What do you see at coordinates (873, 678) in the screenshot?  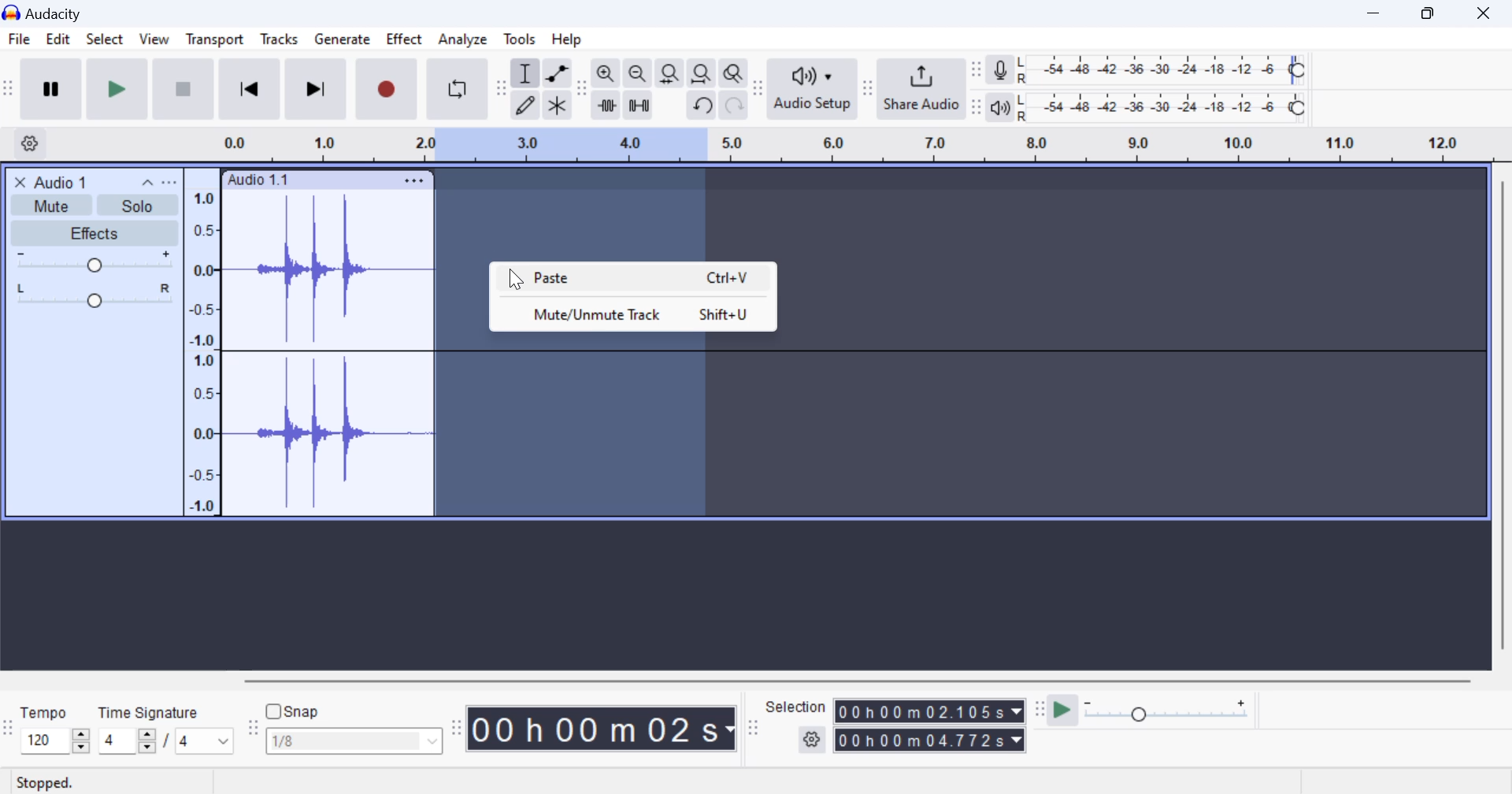 I see `horizontal scrollbar` at bounding box center [873, 678].